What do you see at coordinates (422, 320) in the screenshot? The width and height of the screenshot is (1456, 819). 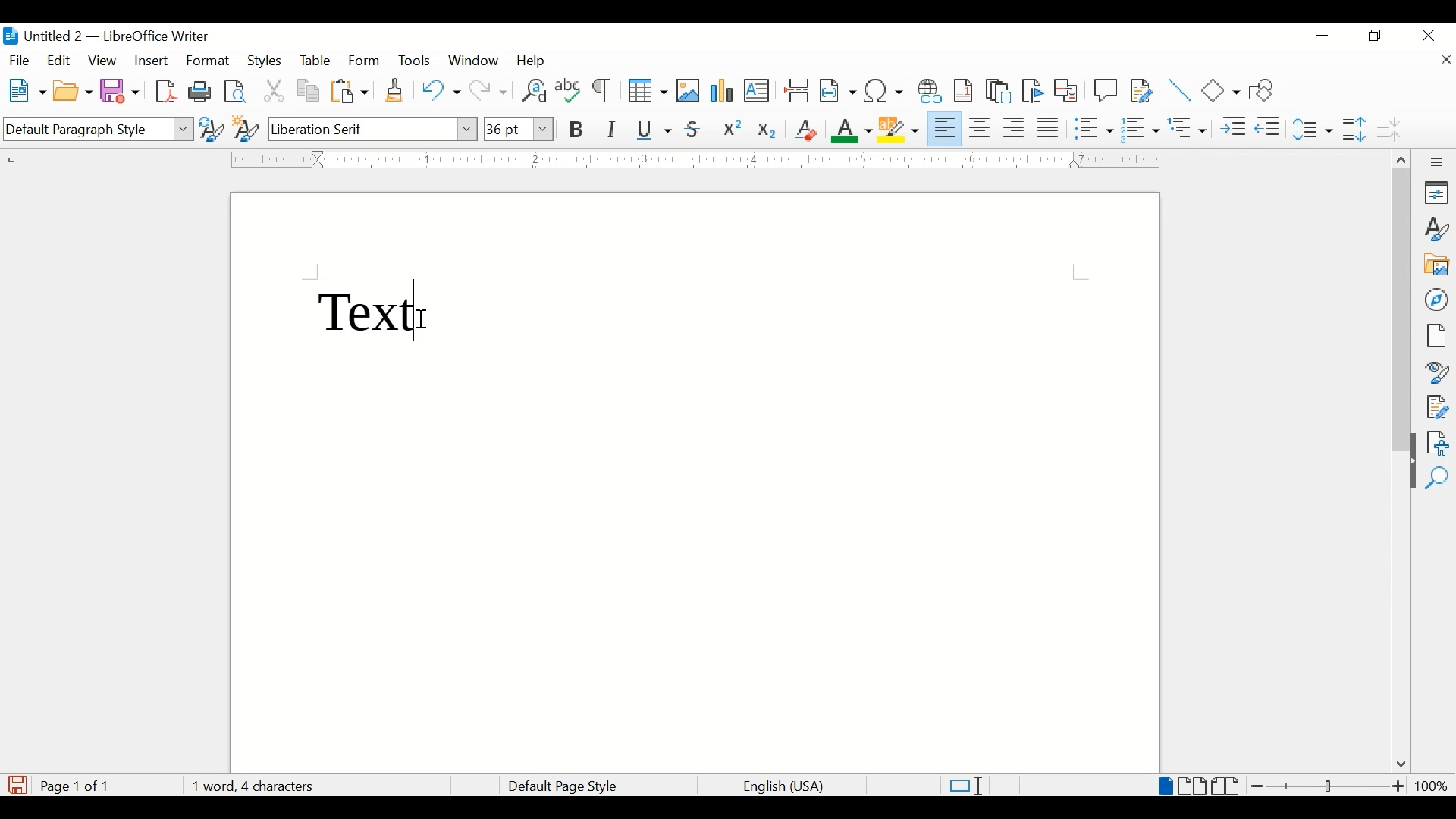 I see `cursor` at bounding box center [422, 320].